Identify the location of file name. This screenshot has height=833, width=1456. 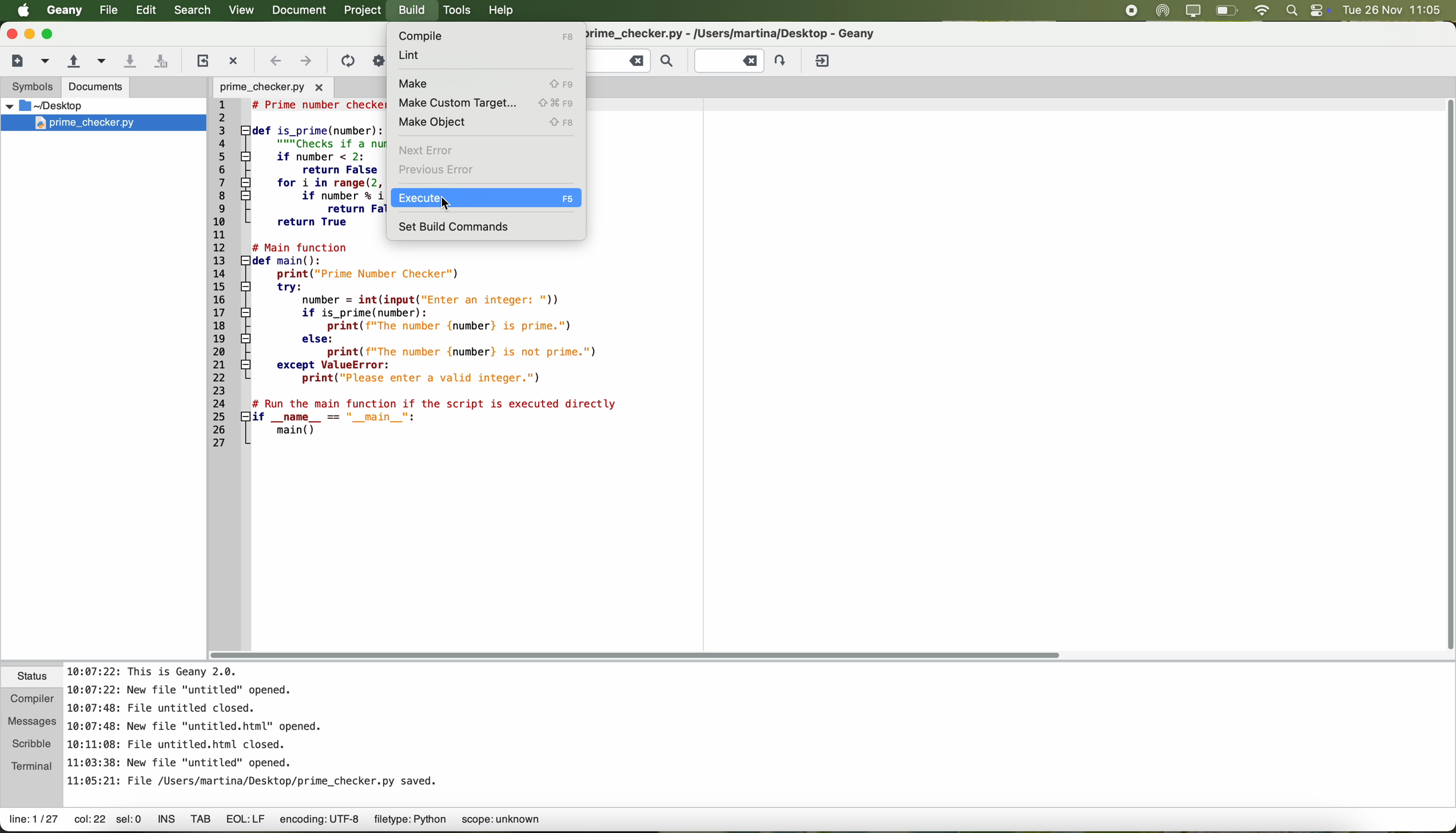
(752, 33).